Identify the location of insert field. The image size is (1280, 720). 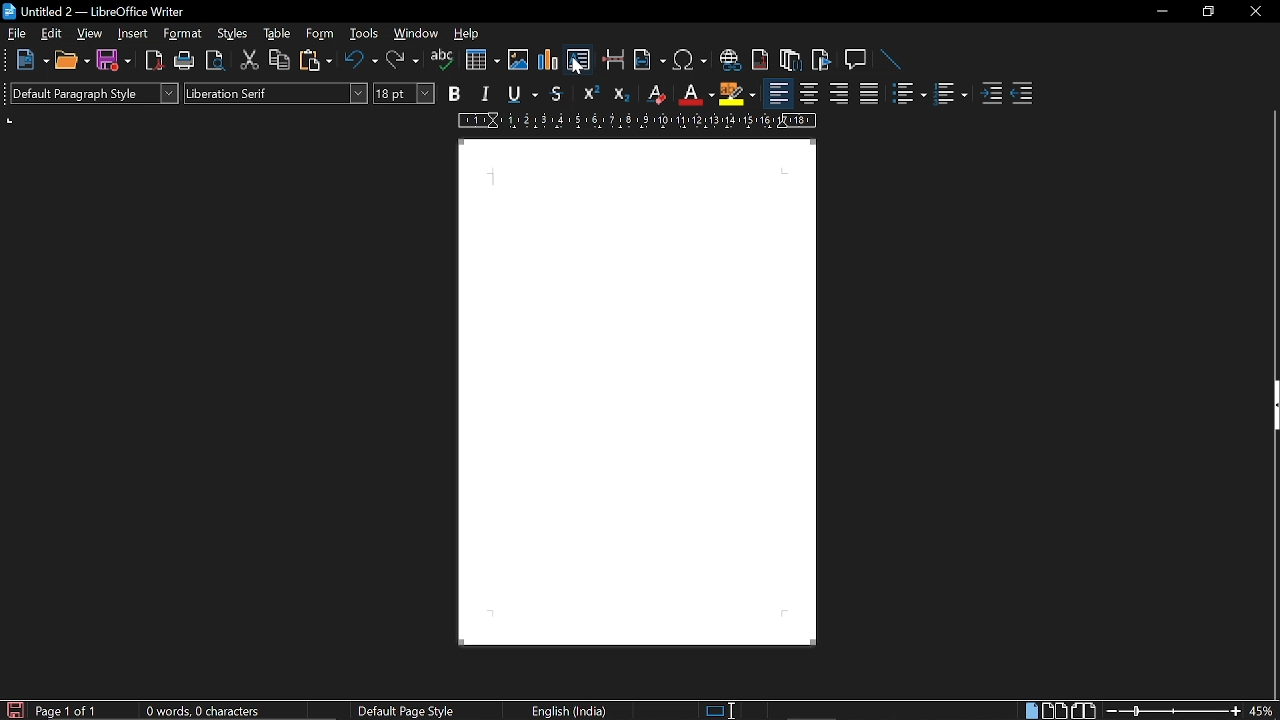
(649, 62).